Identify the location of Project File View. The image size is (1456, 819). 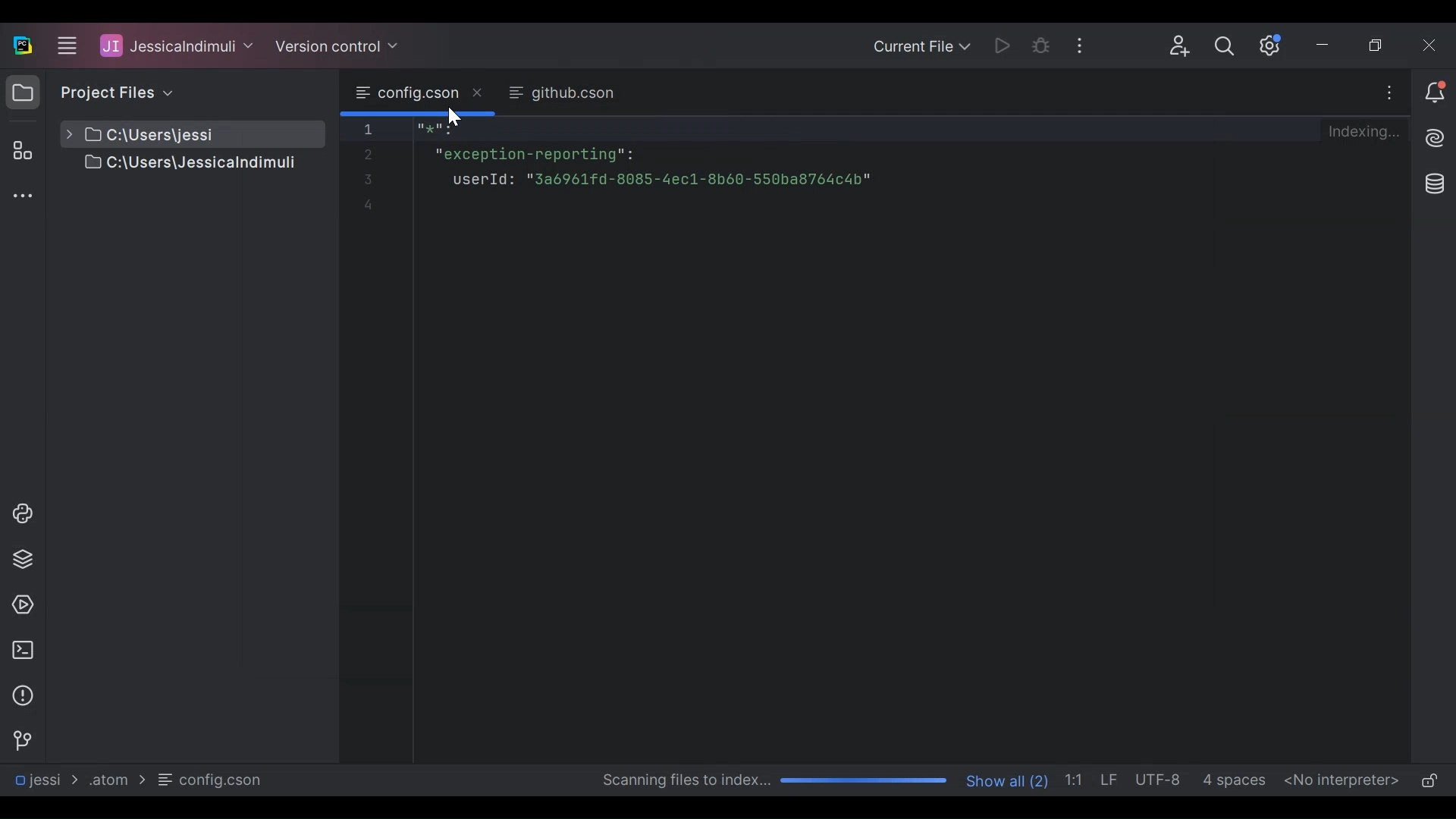
(115, 92).